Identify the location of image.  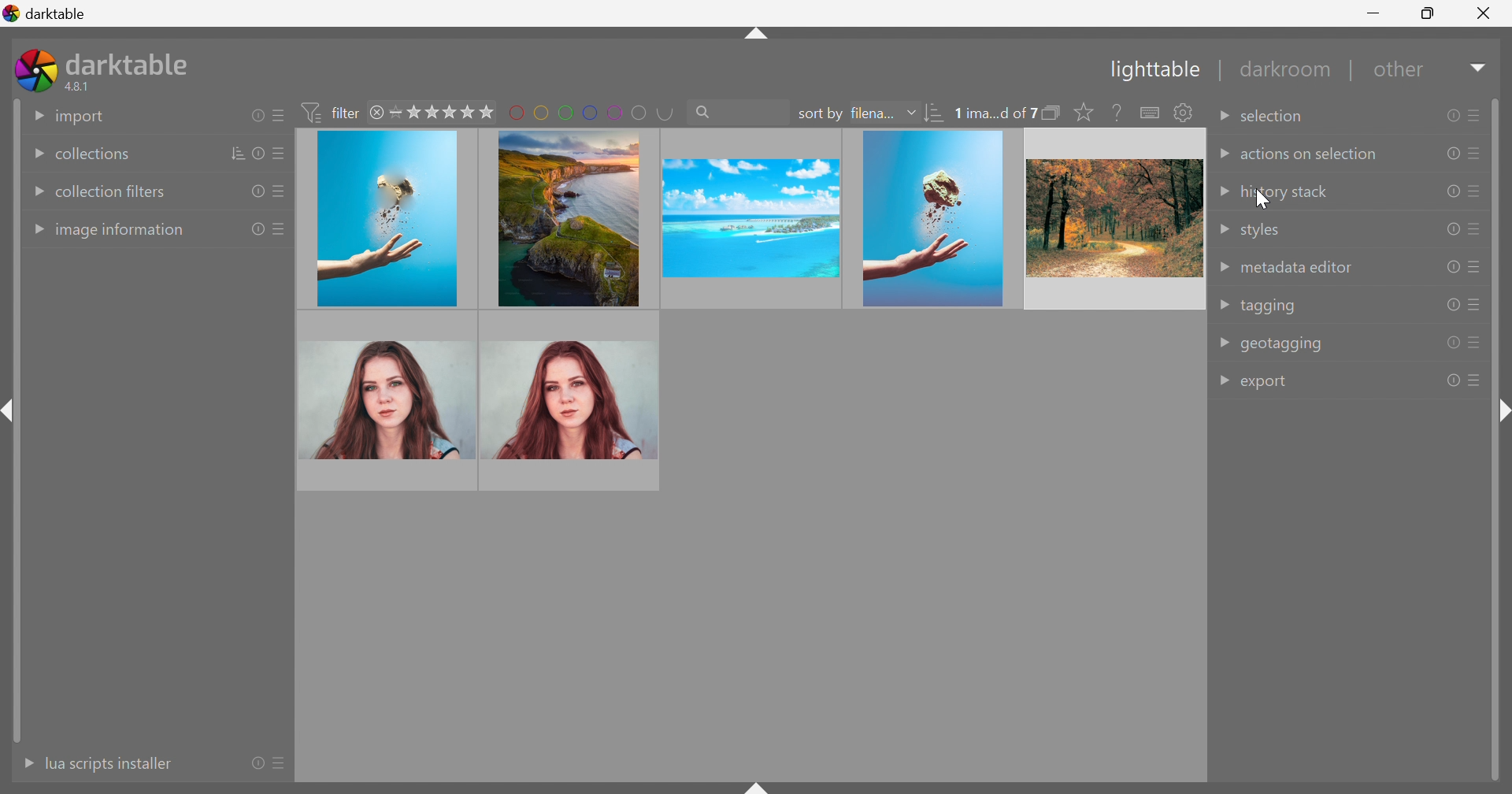
(933, 219).